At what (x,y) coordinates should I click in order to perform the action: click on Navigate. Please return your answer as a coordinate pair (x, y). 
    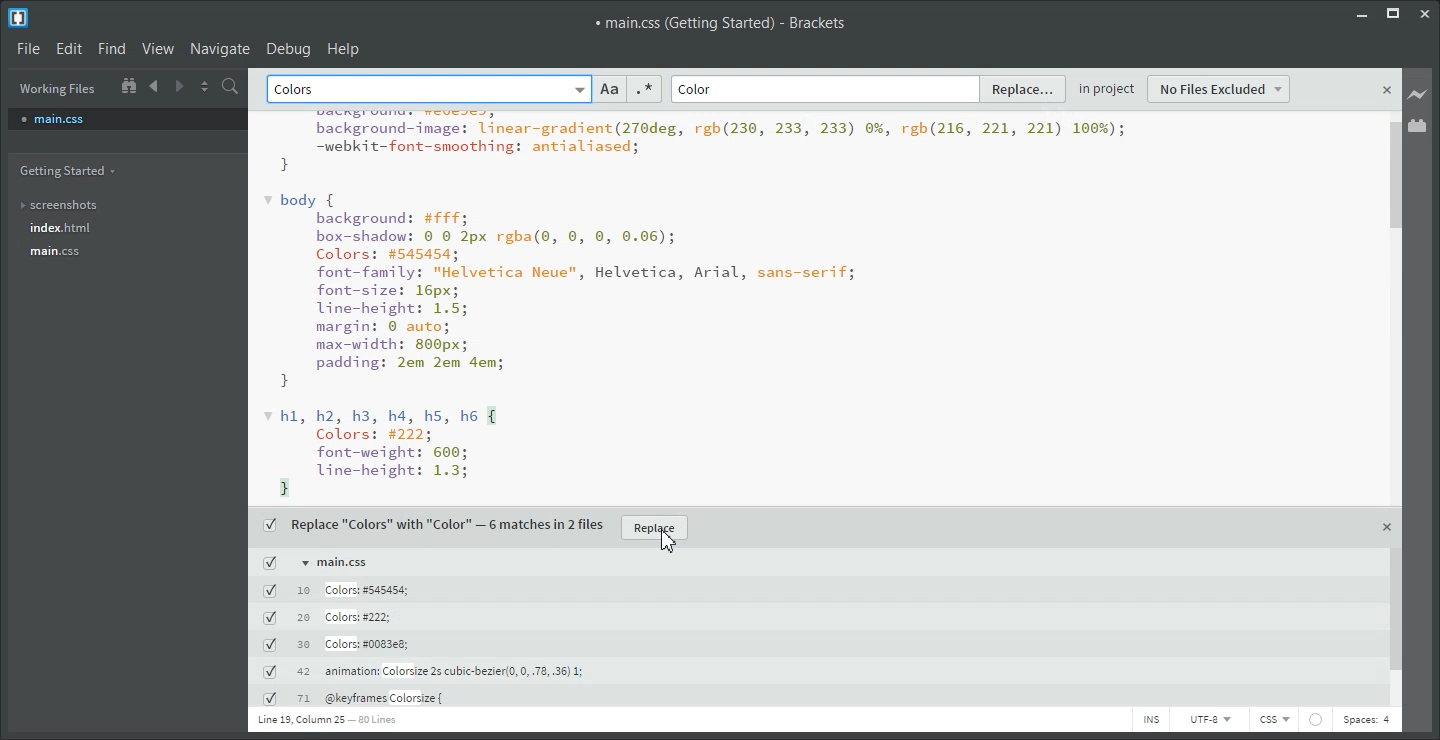
    Looking at the image, I should click on (220, 48).